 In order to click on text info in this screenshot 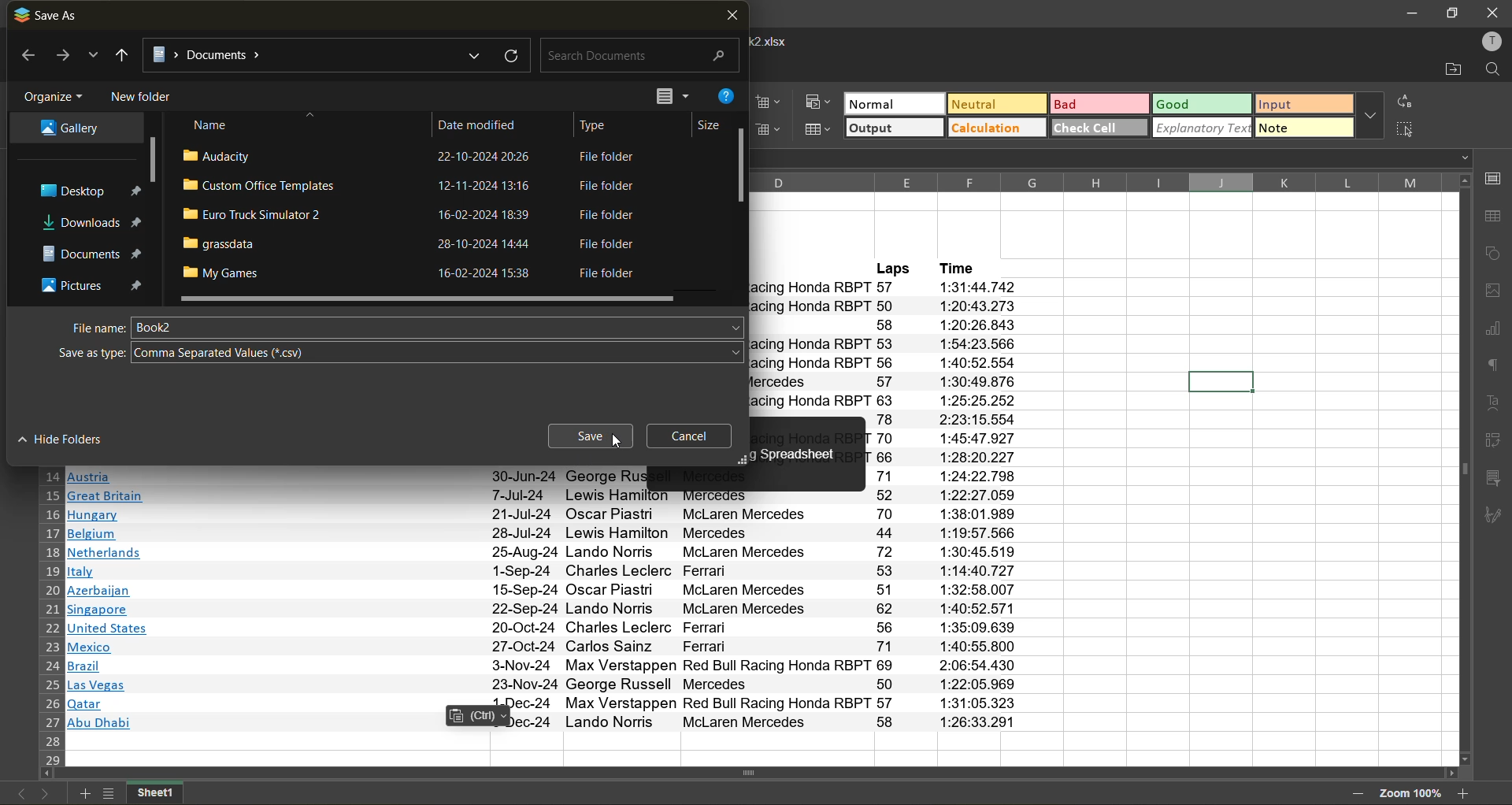, I will do `click(545, 591)`.